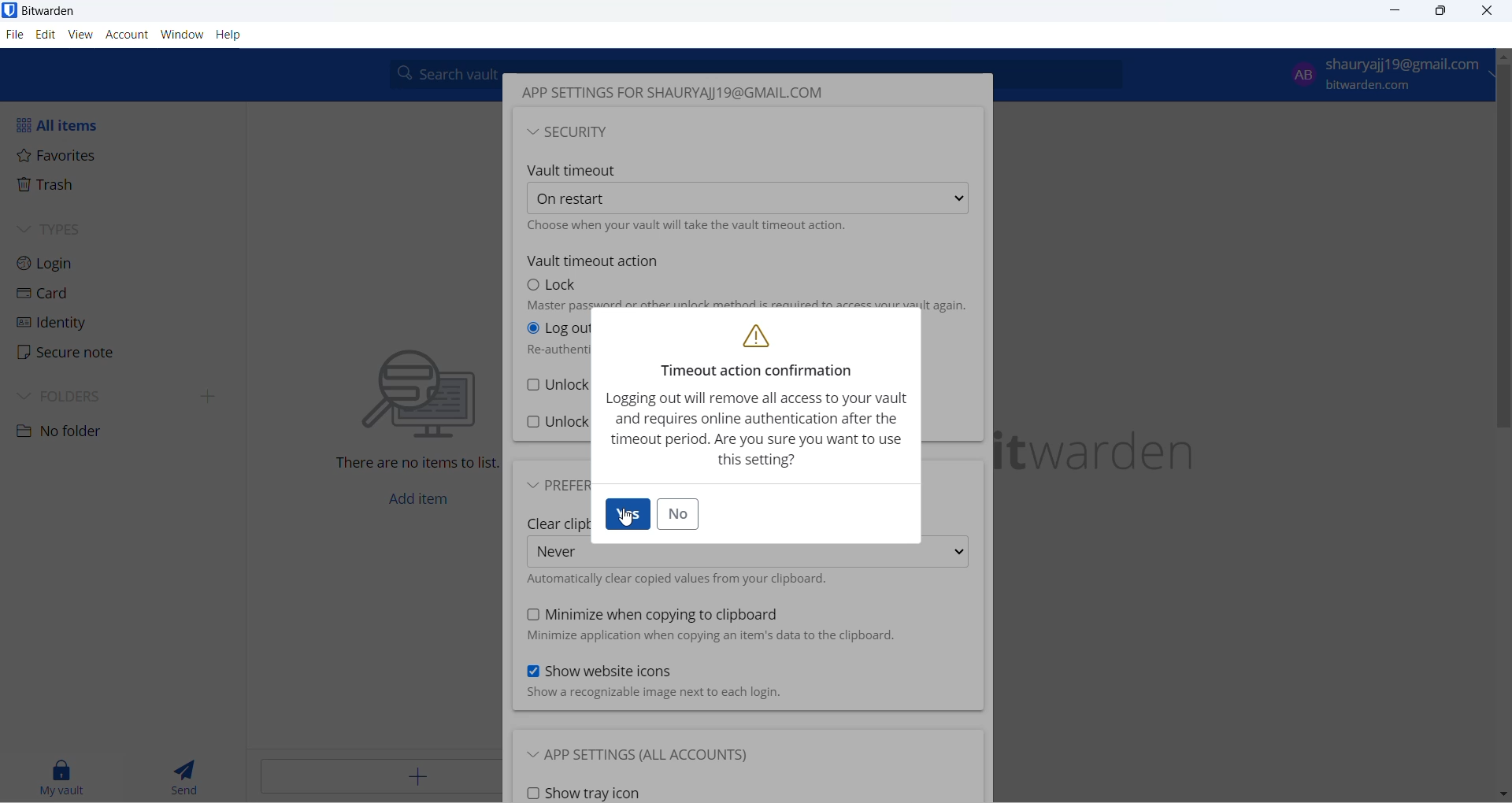  Describe the element at coordinates (441, 74) in the screenshot. I see `search box` at that location.